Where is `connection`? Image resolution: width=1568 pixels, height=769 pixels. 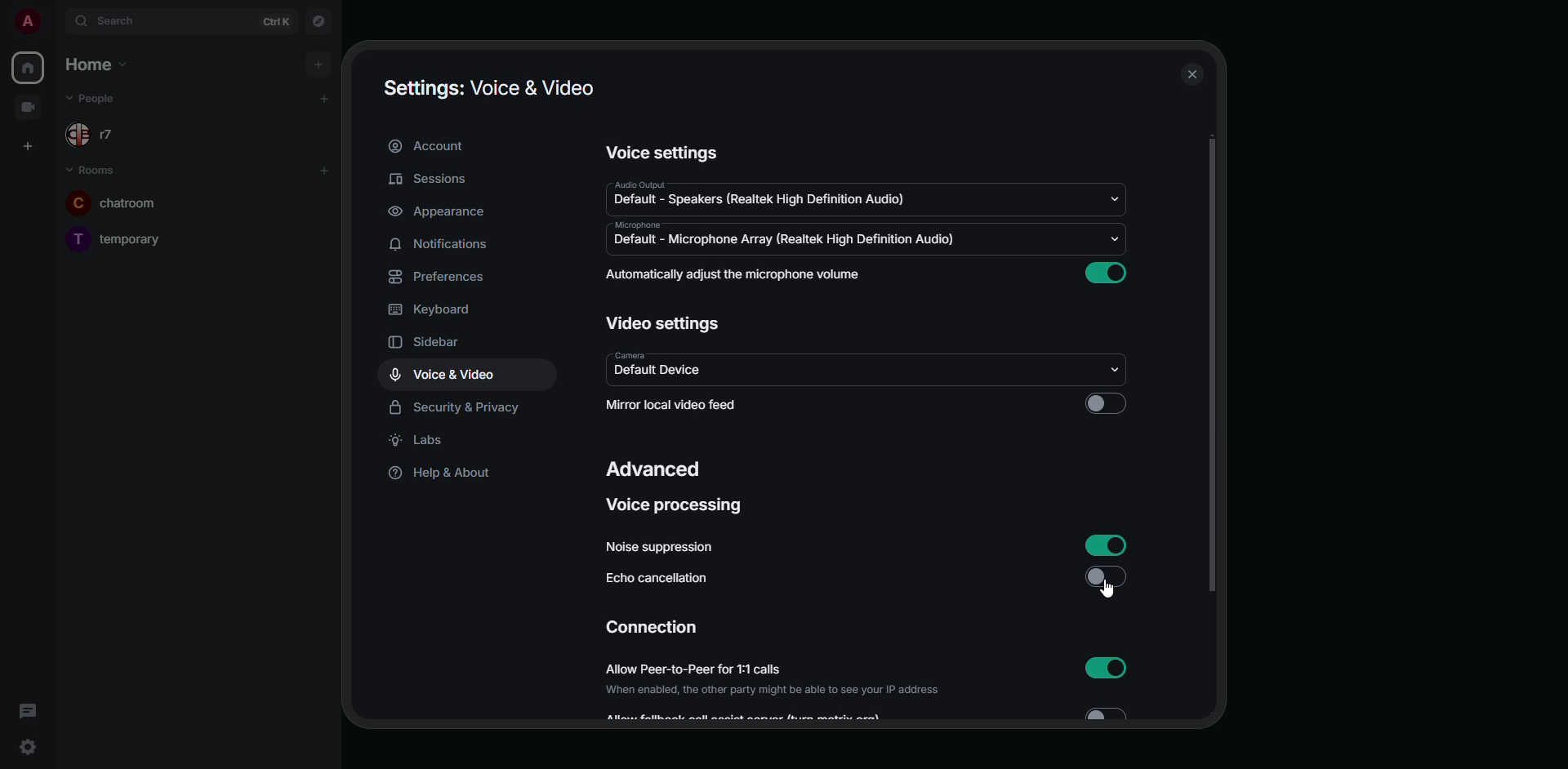 connection is located at coordinates (652, 629).